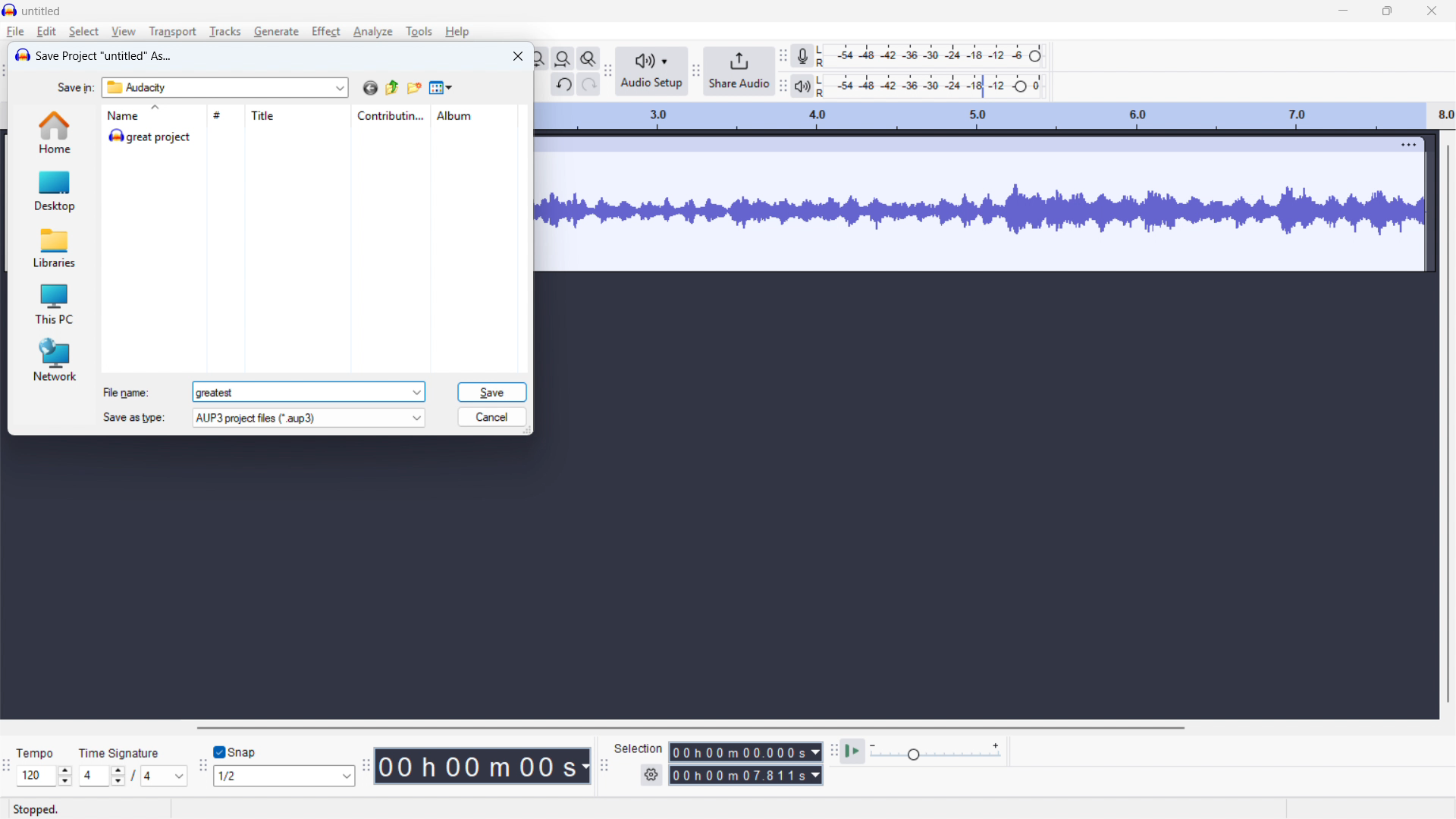 This screenshot has width=1456, height=819. Describe the element at coordinates (53, 132) in the screenshot. I see `home` at that location.